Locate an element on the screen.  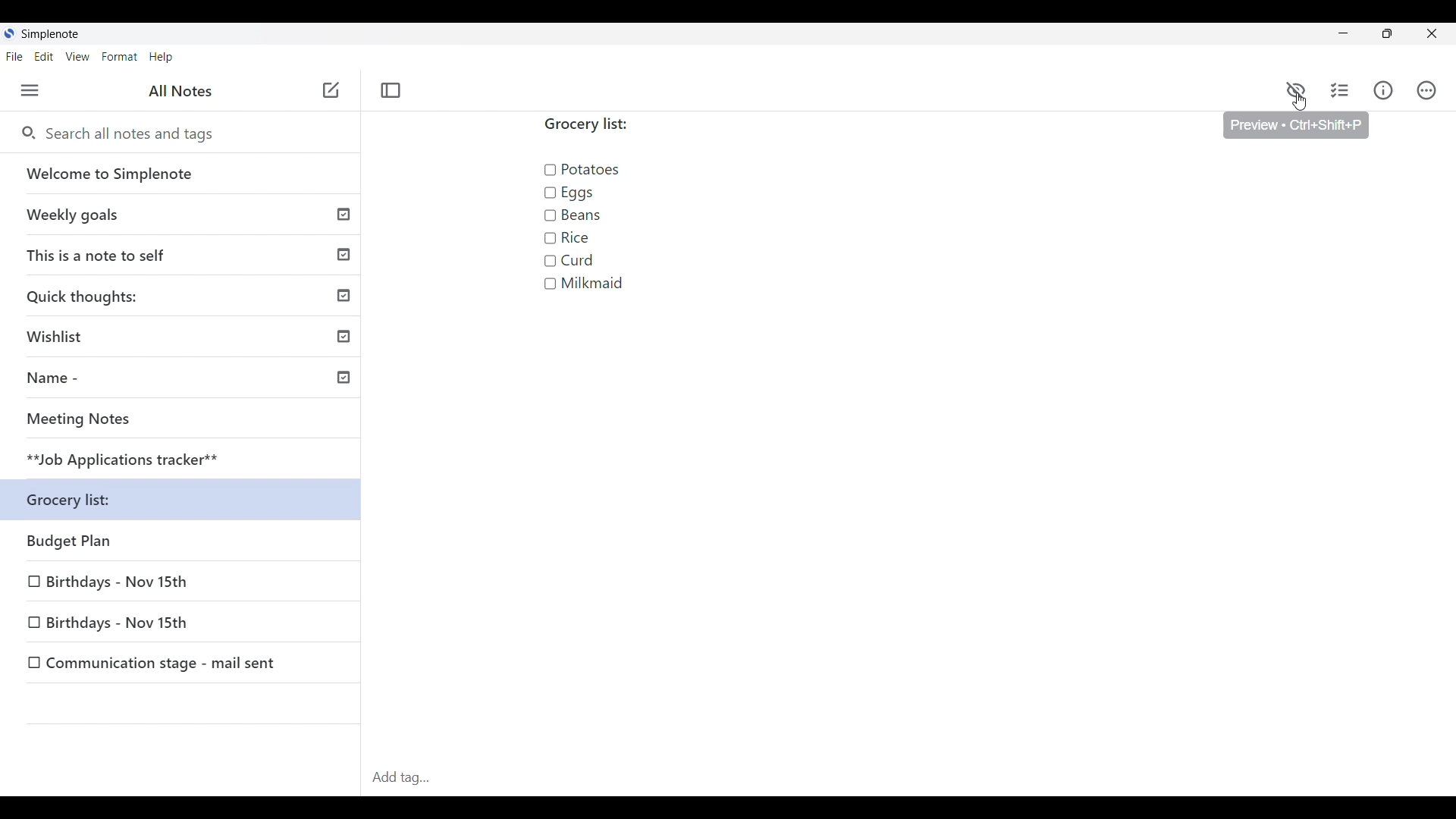
View is located at coordinates (78, 57).